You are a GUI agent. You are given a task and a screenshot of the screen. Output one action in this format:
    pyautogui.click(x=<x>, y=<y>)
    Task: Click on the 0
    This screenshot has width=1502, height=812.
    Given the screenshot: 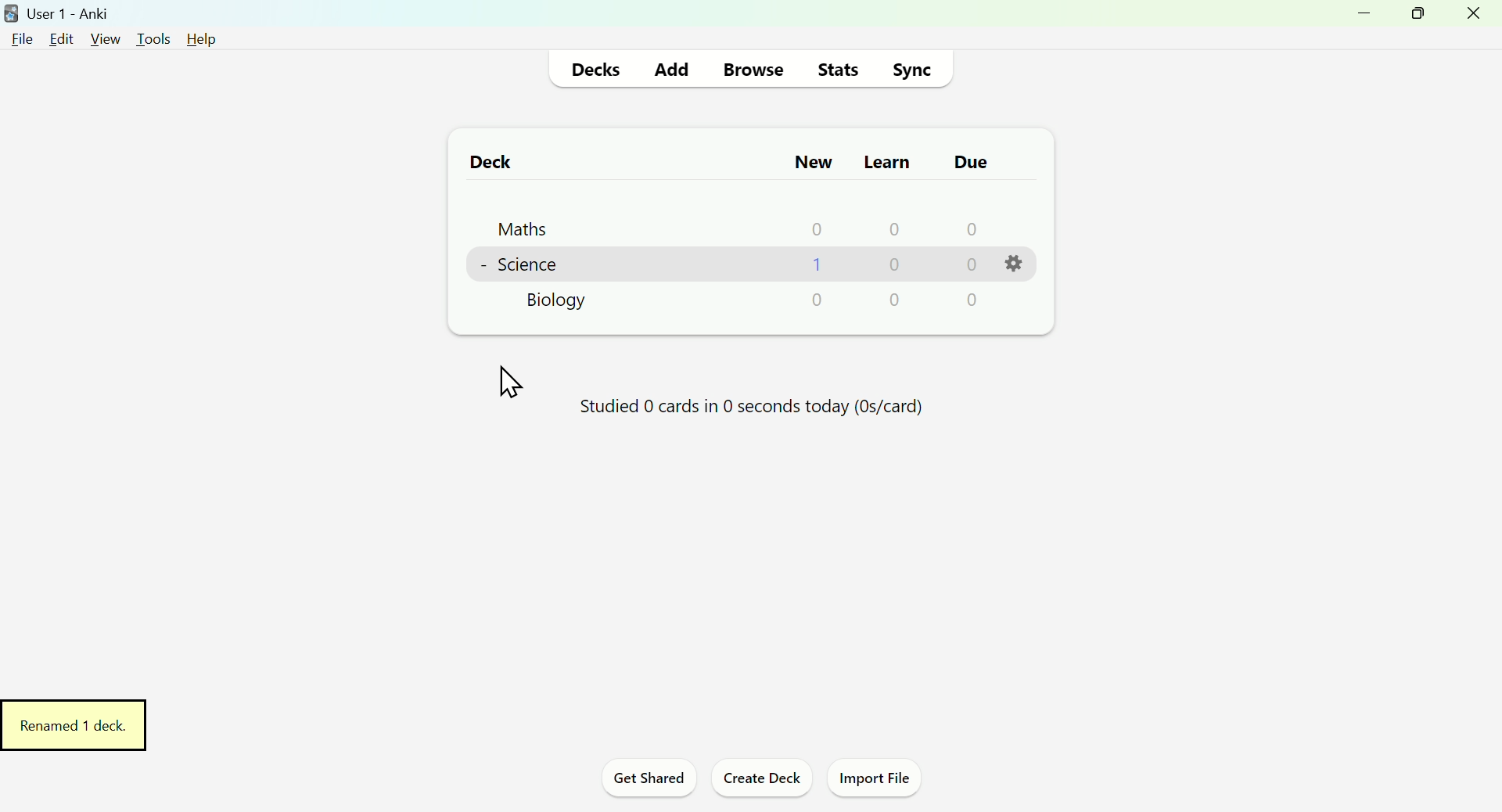 What is the action you would take?
    pyautogui.click(x=968, y=265)
    